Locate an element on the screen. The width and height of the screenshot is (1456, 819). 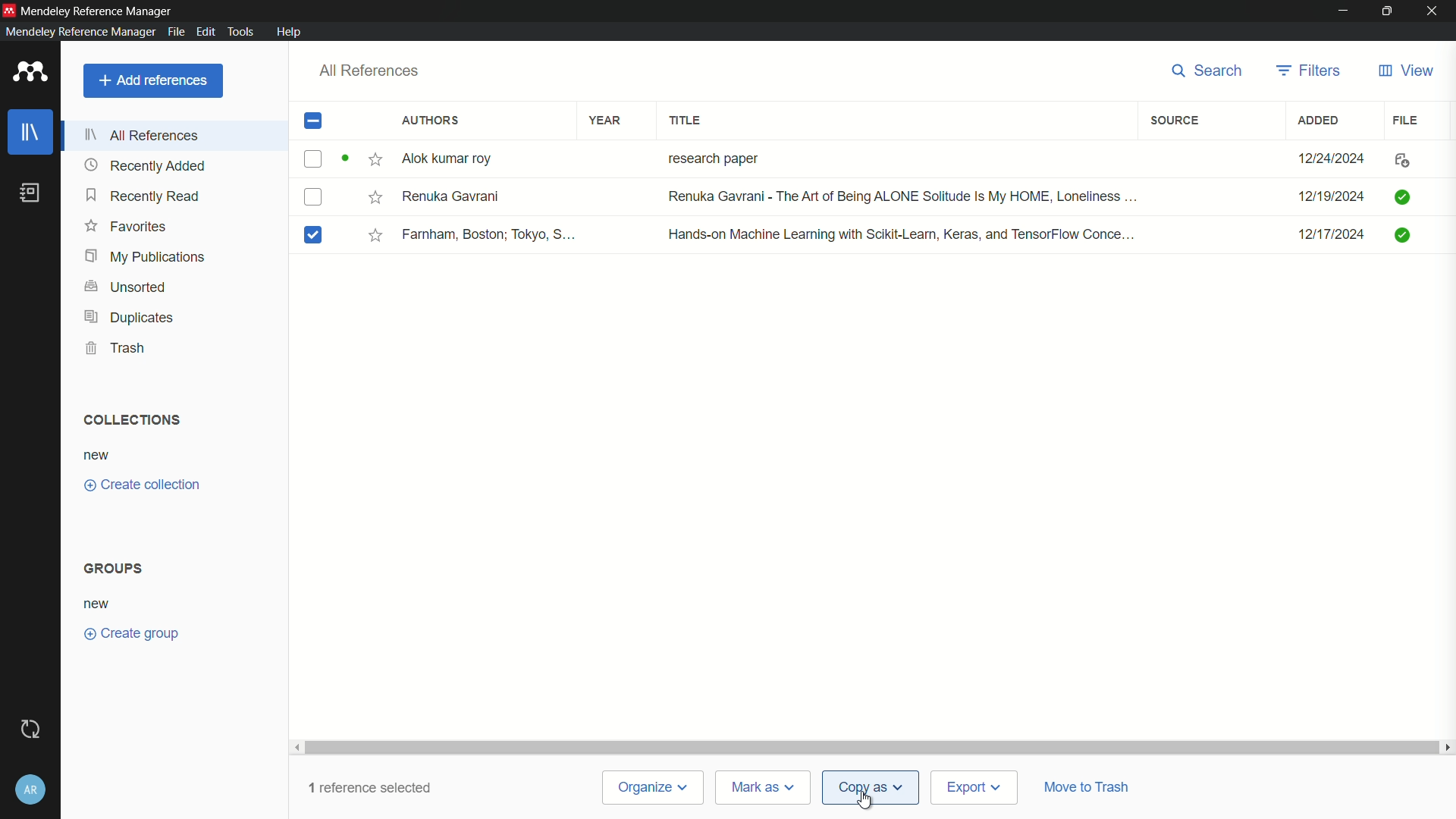
duplicates is located at coordinates (127, 317).